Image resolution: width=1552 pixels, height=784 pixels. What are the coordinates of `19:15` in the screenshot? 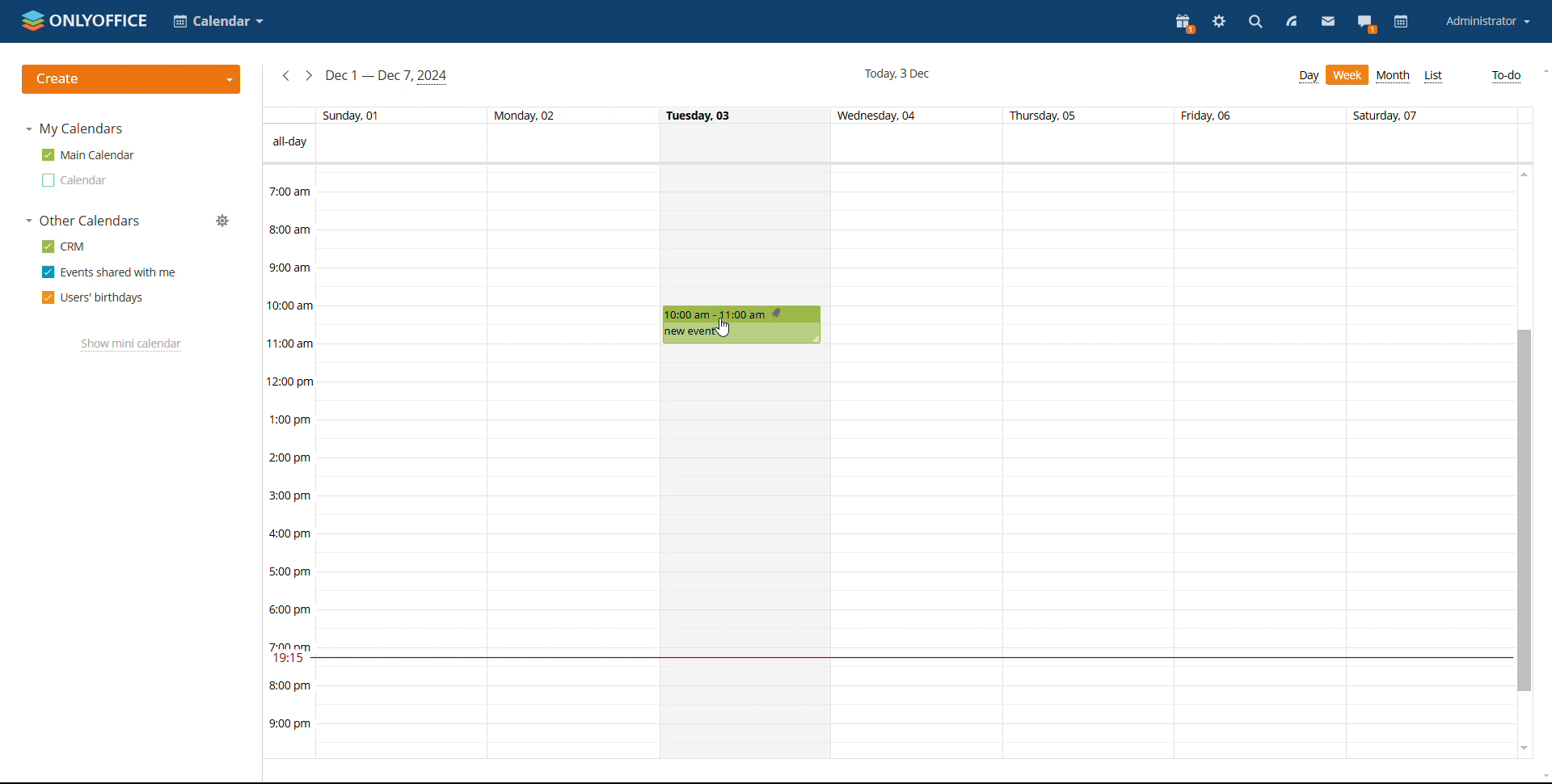 It's located at (290, 660).